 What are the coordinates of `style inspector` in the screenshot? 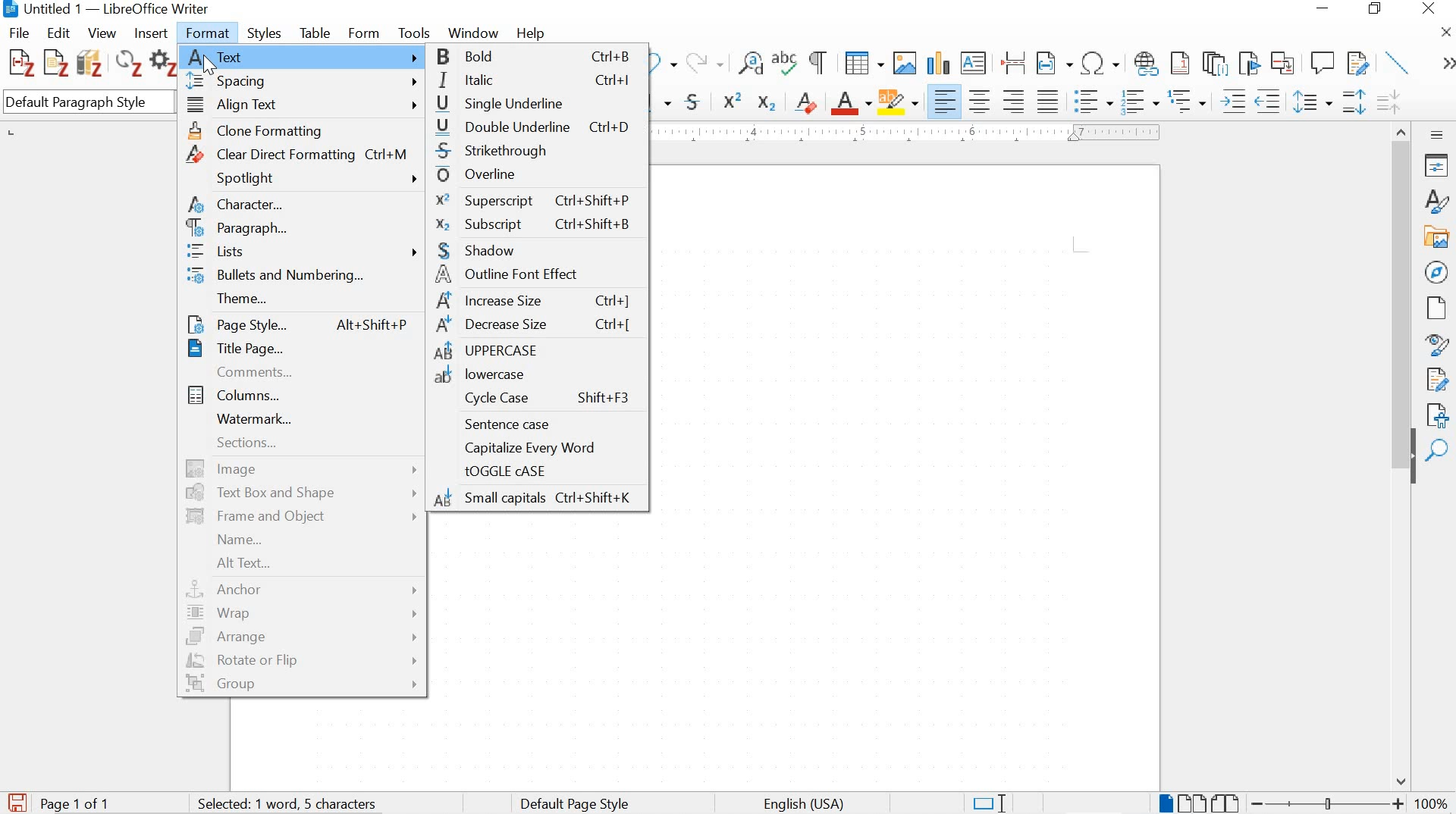 It's located at (1441, 346).